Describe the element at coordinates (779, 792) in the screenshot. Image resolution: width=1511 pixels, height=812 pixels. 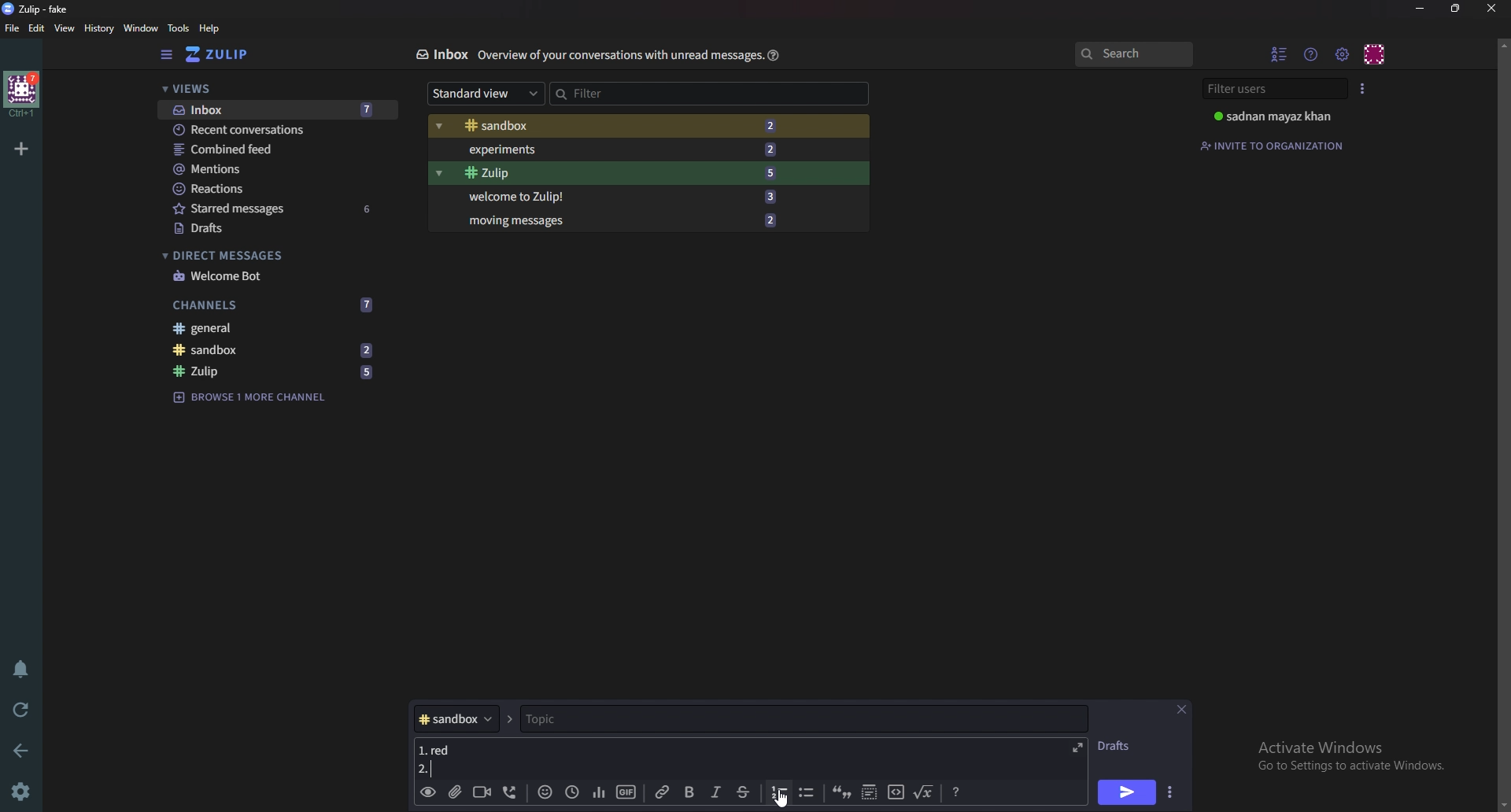
I see `number list` at that location.